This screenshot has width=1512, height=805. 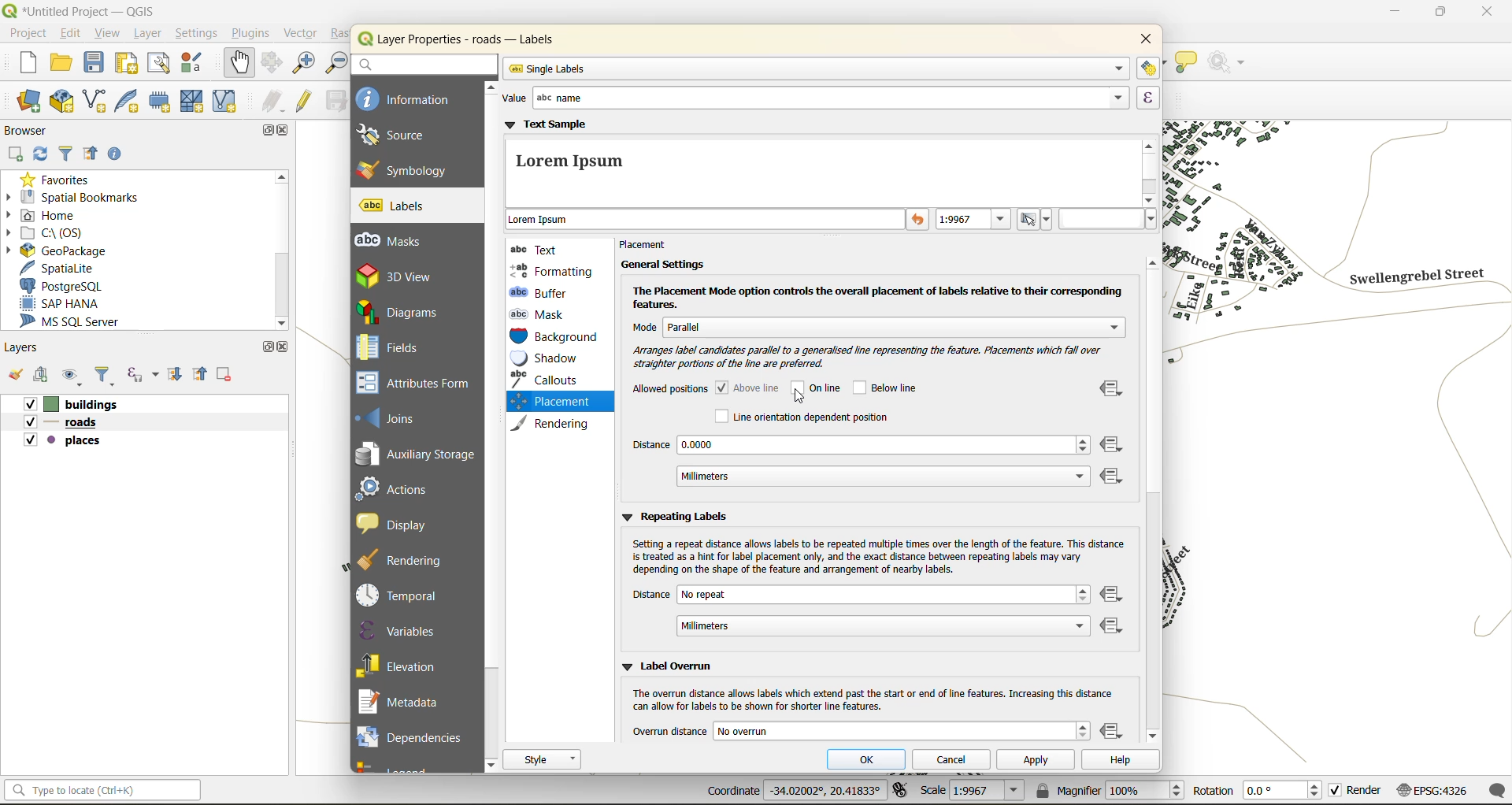 What do you see at coordinates (197, 35) in the screenshot?
I see `settings` at bounding box center [197, 35].